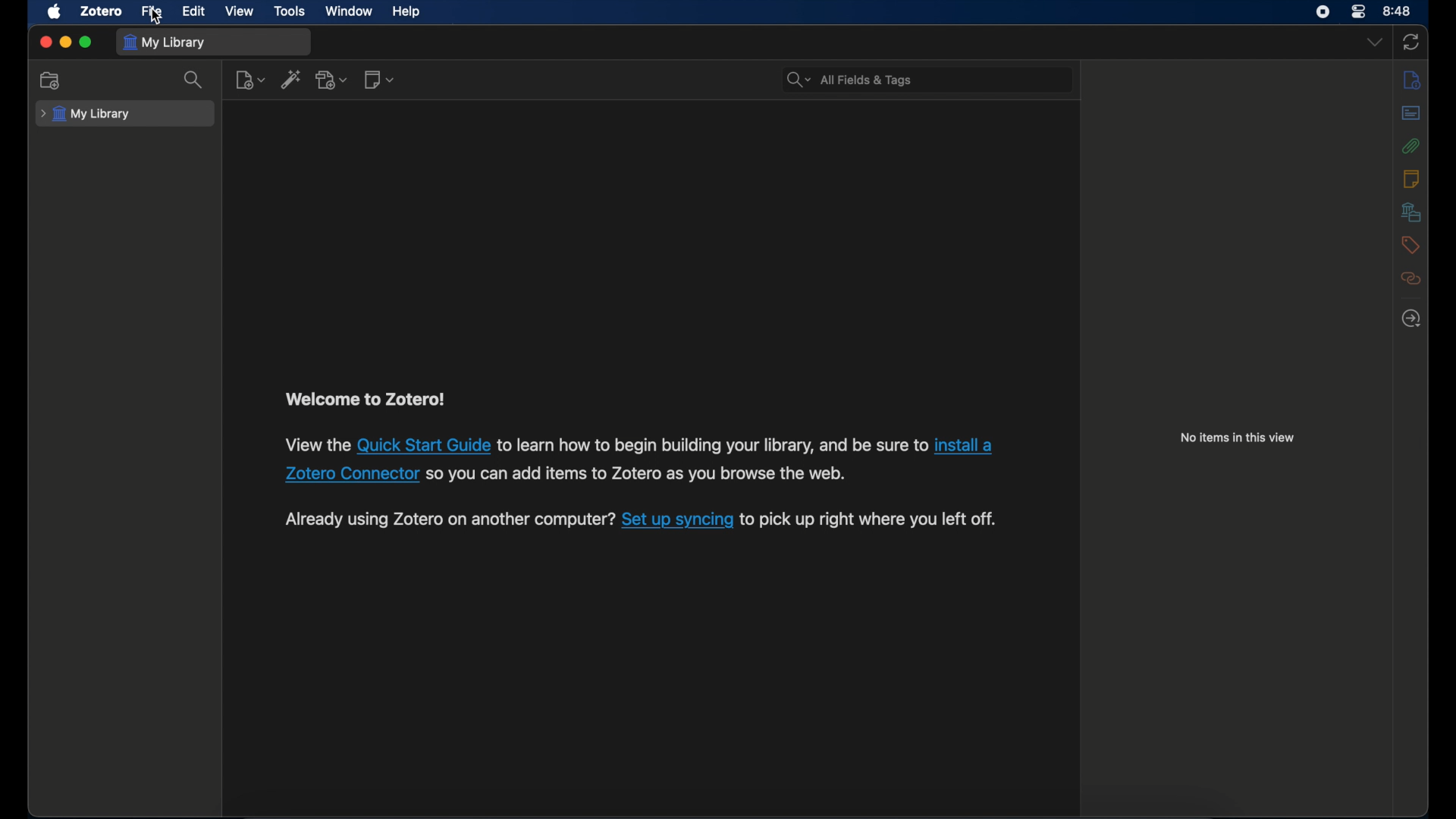 The height and width of the screenshot is (819, 1456). I want to click on software information, so click(869, 522).